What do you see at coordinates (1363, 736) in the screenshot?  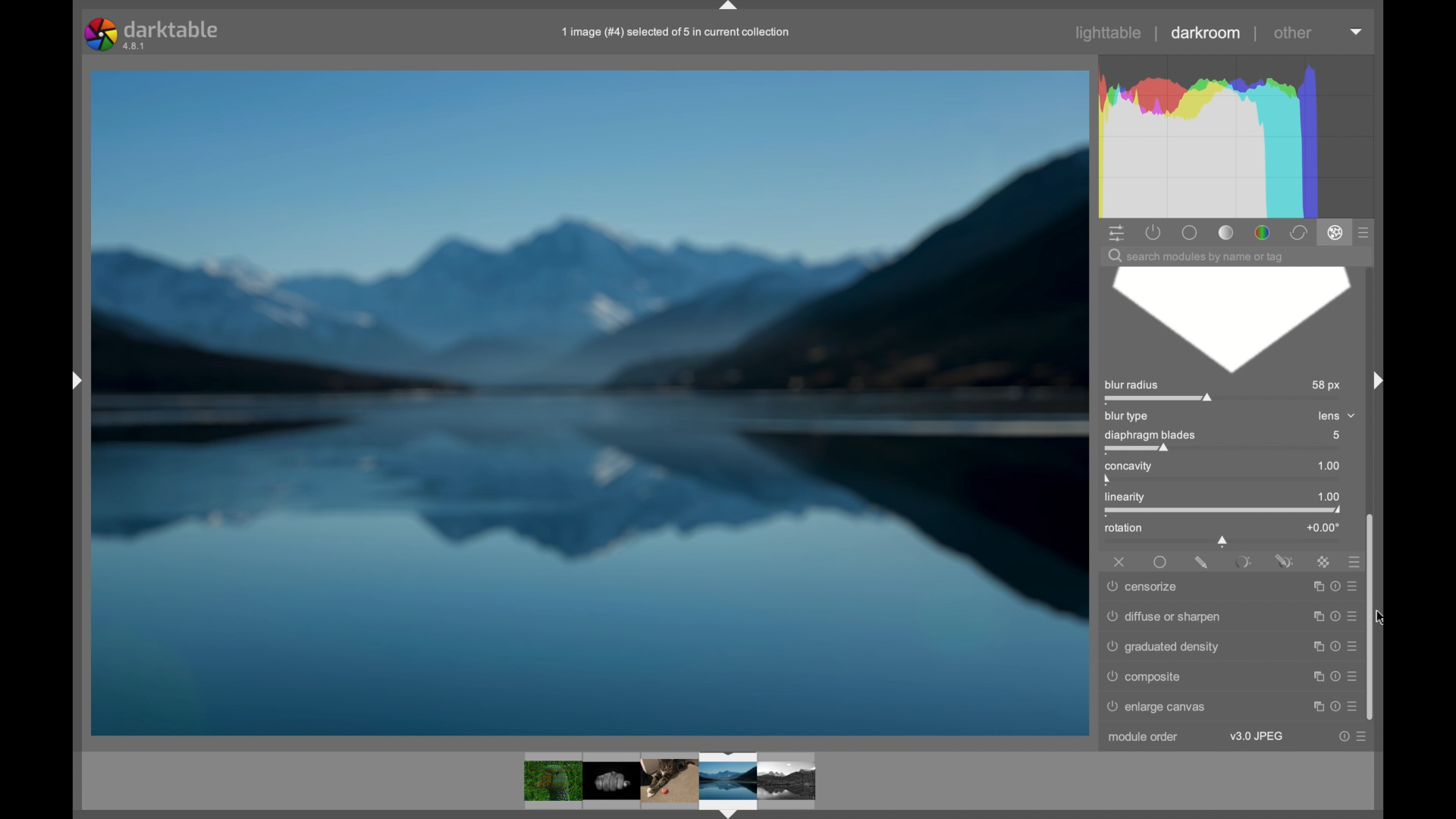 I see `more options` at bounding box center [1363, 736].